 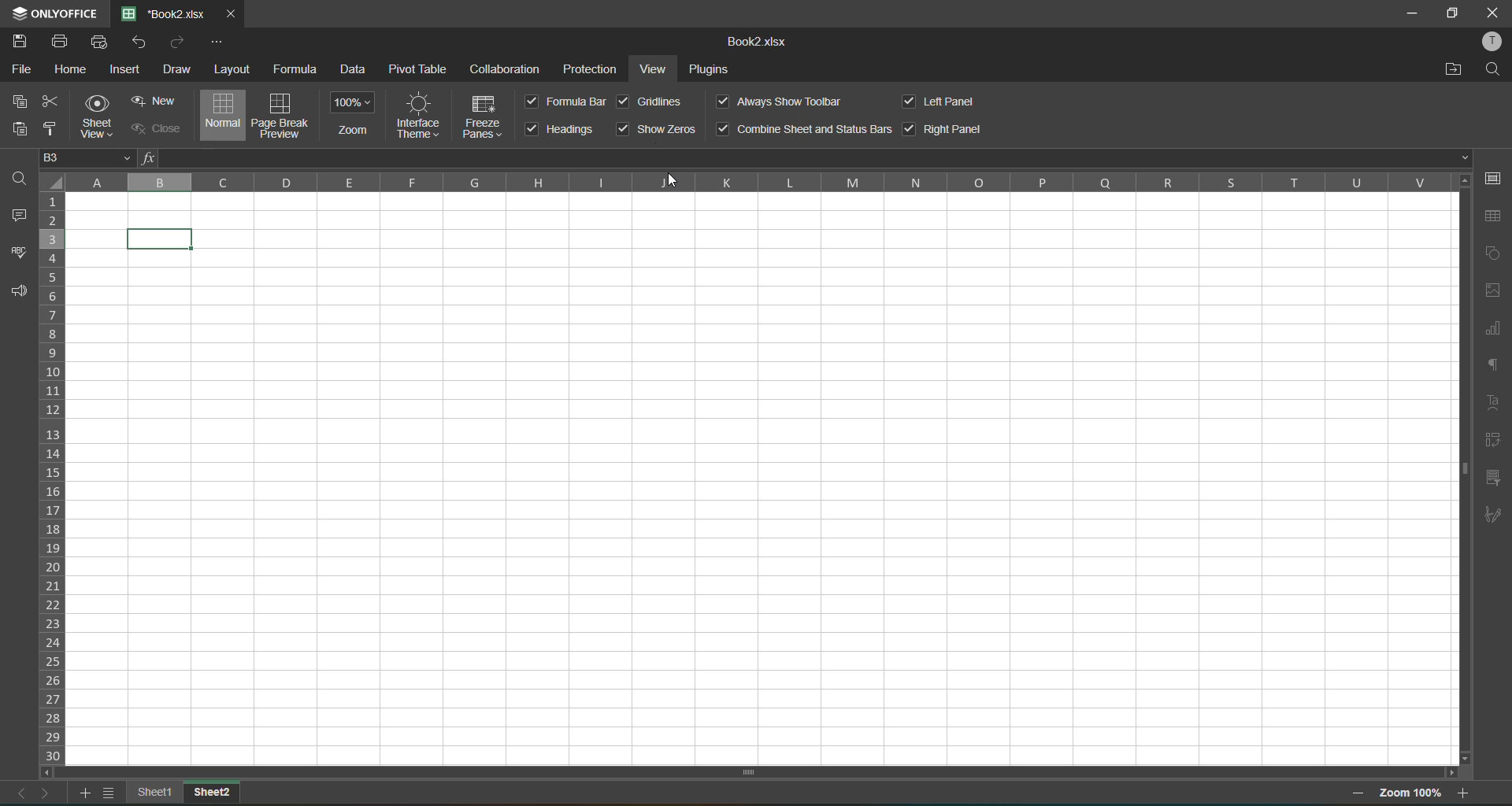 What do you see at coordinates (710, 70) in the screenshot?
I see `plugins` at bounding box center [710, 70].